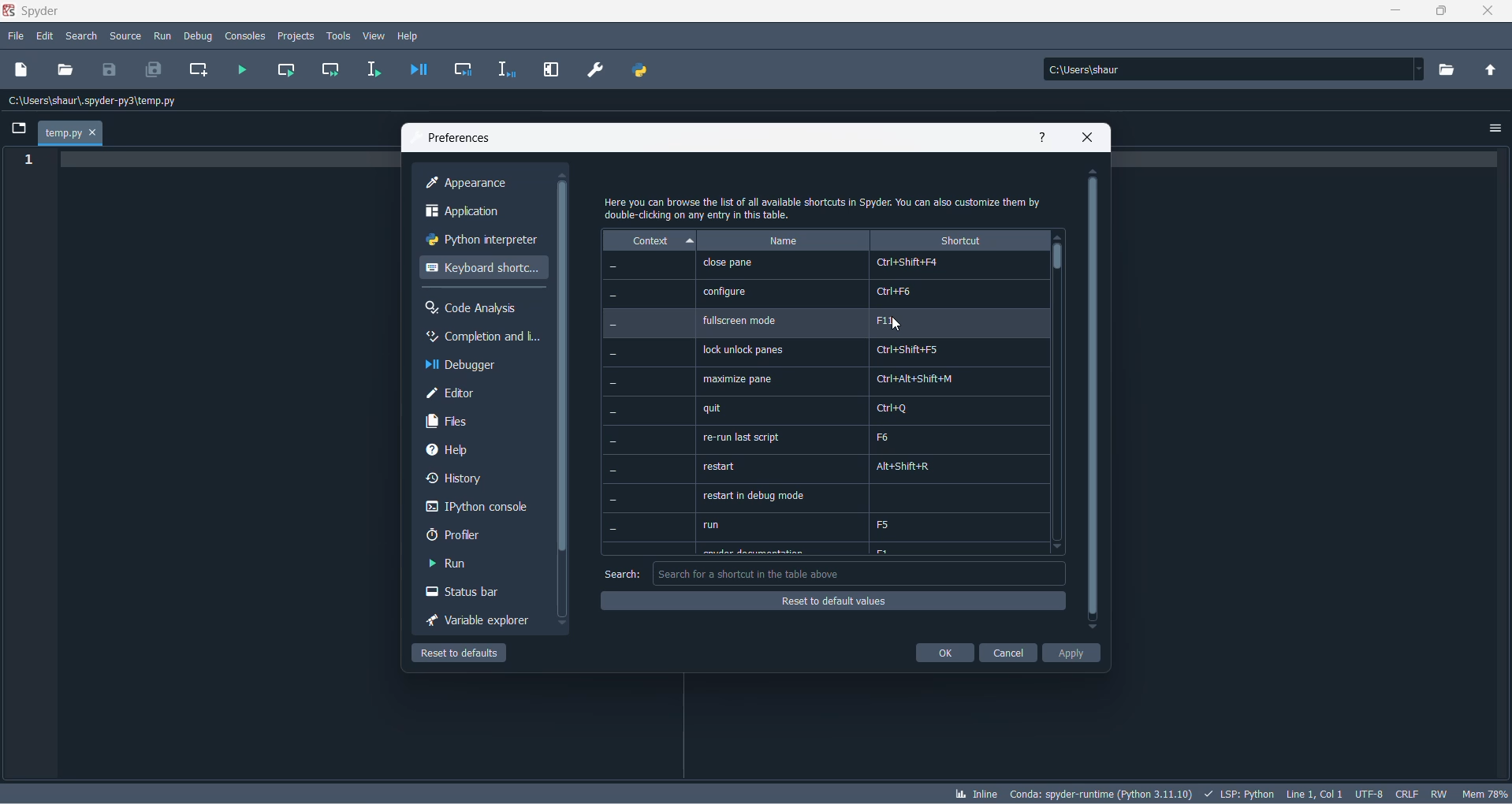 Image resolution: width=1512 pixels, height=804 pixels. What do you see at coordinates (613, 296) in the screenshot?
I see `` at bounding box center [613, 296].